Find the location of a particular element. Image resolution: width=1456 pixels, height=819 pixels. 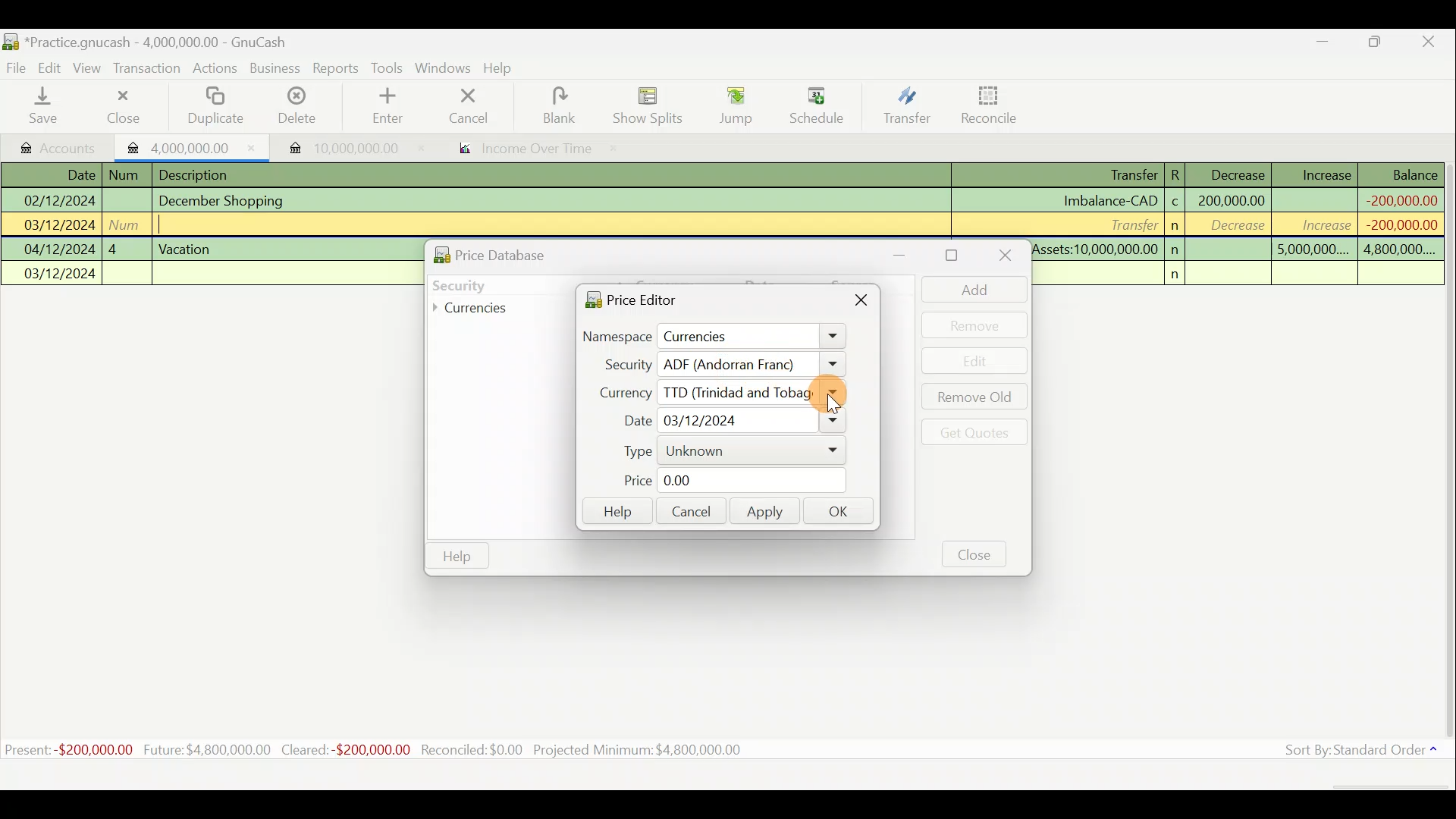

Help is located at coordinates (616, 512).